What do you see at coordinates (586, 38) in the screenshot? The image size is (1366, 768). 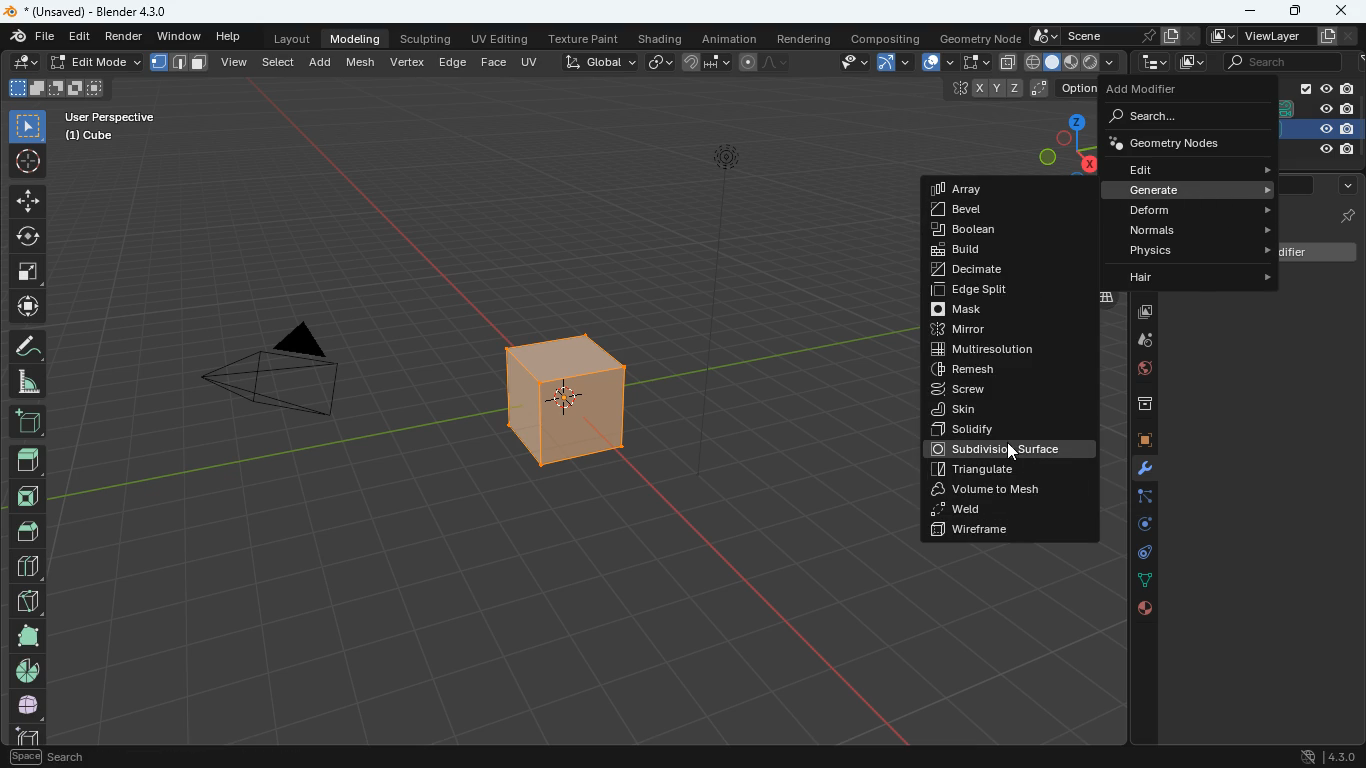 I see `texture paint` at bounding box center [586, 38].